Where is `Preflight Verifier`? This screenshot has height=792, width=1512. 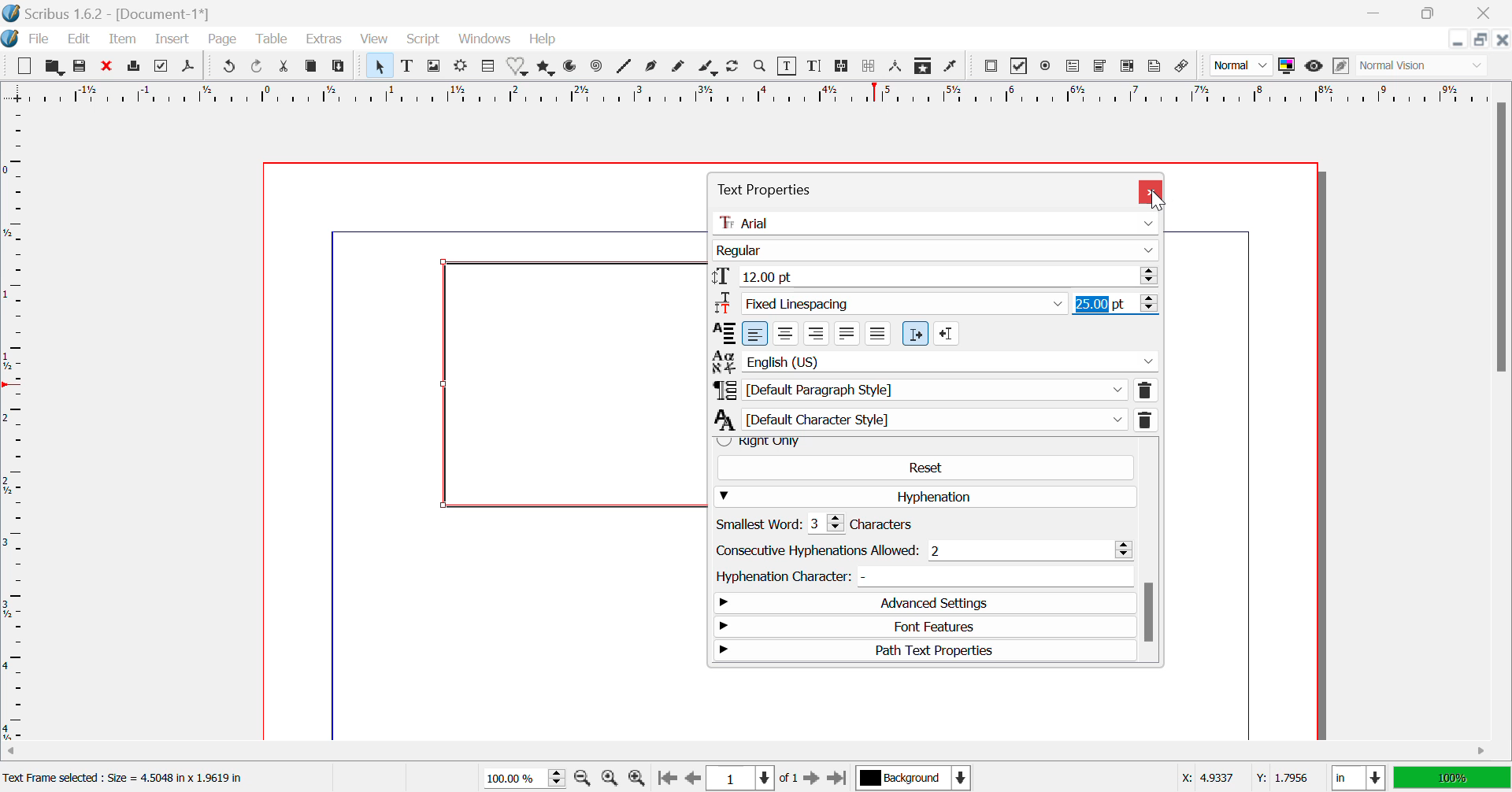
Preflight Verifier is located at coordinates (161, 68).